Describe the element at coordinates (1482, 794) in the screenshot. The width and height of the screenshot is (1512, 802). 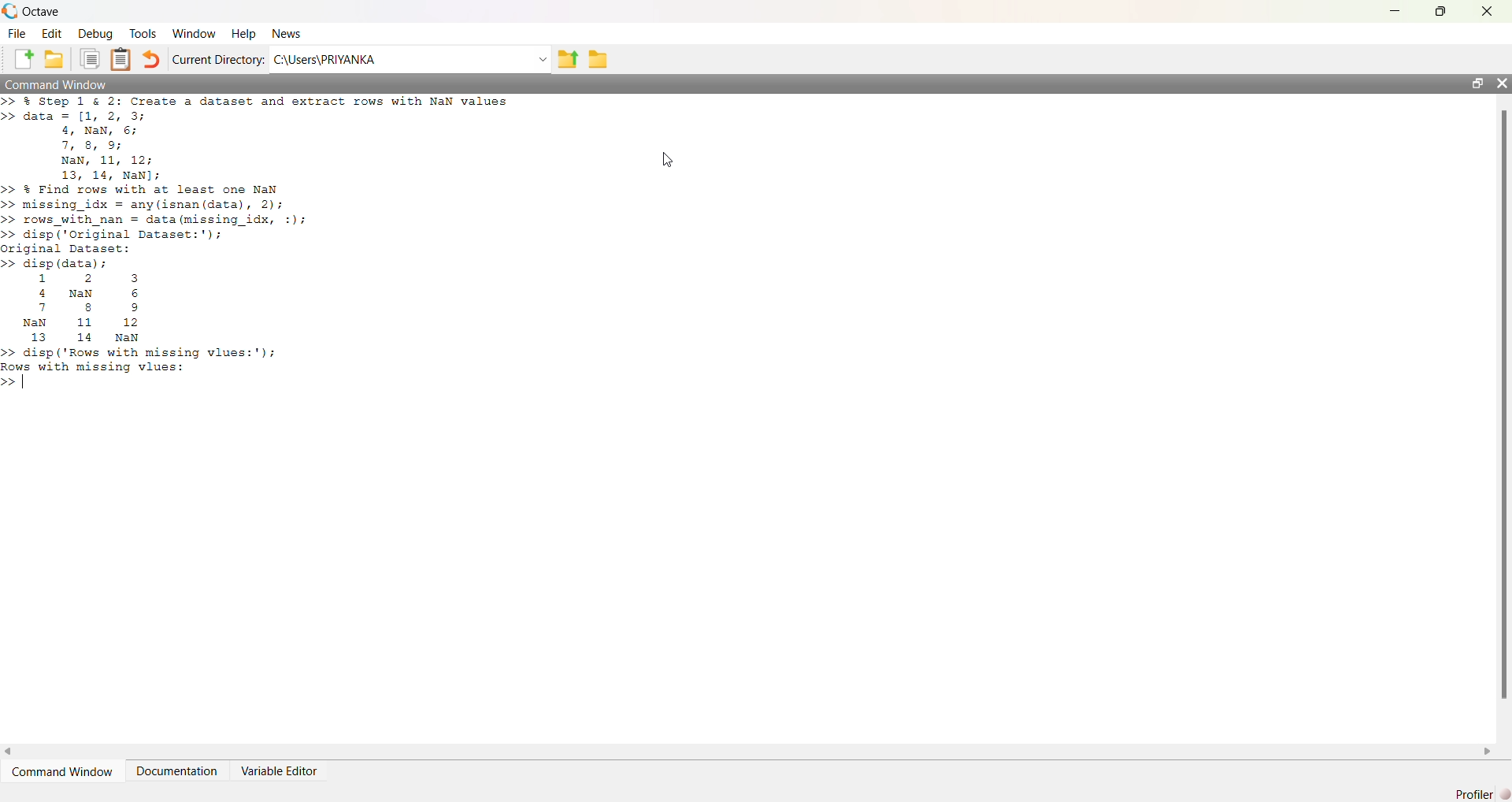
I see `Profiler` at that location.